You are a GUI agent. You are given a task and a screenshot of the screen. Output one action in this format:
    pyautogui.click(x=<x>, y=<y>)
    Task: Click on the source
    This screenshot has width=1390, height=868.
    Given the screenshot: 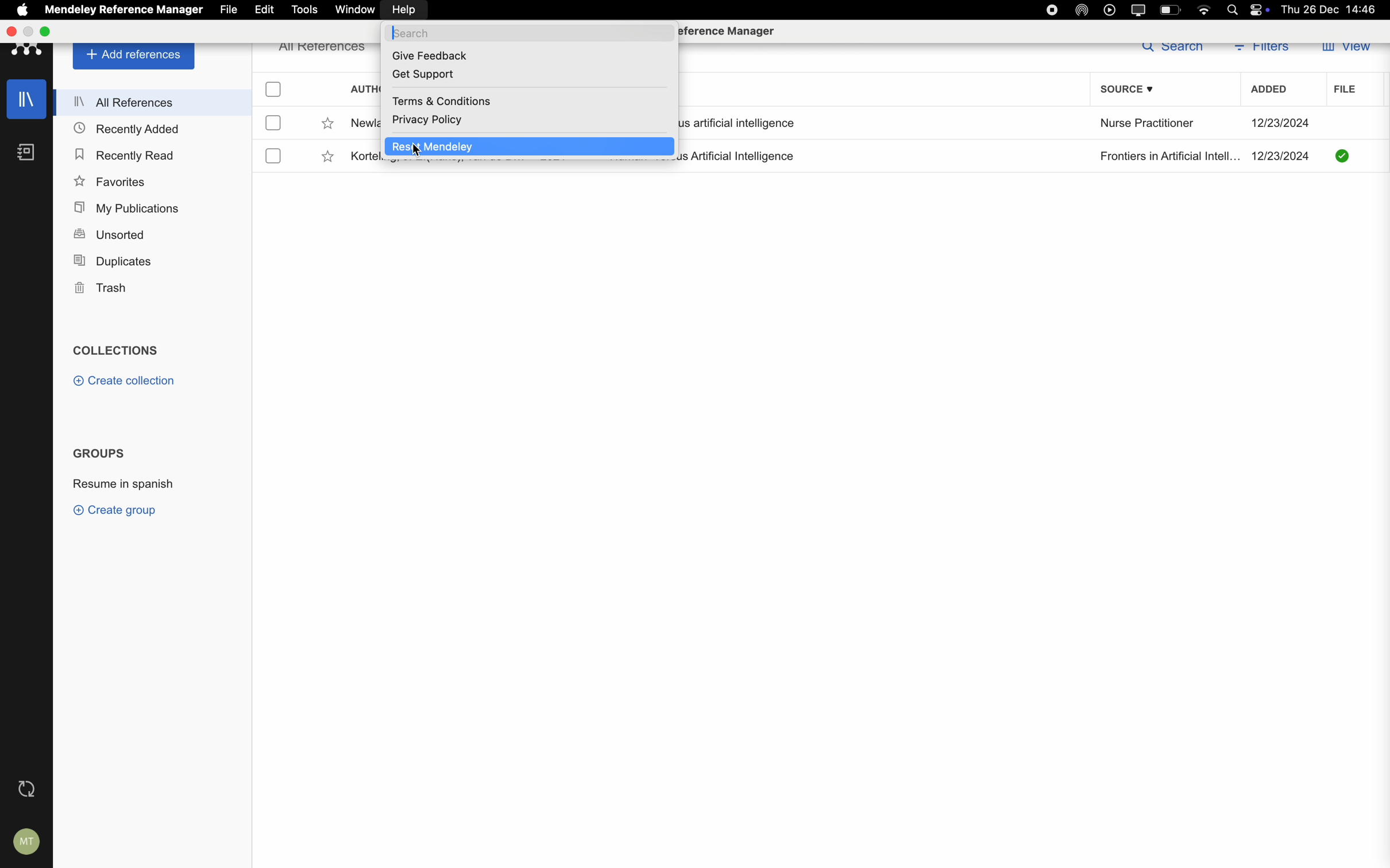 What is the action you would take?
    pyautogui.click(x=1129, y=92)
    